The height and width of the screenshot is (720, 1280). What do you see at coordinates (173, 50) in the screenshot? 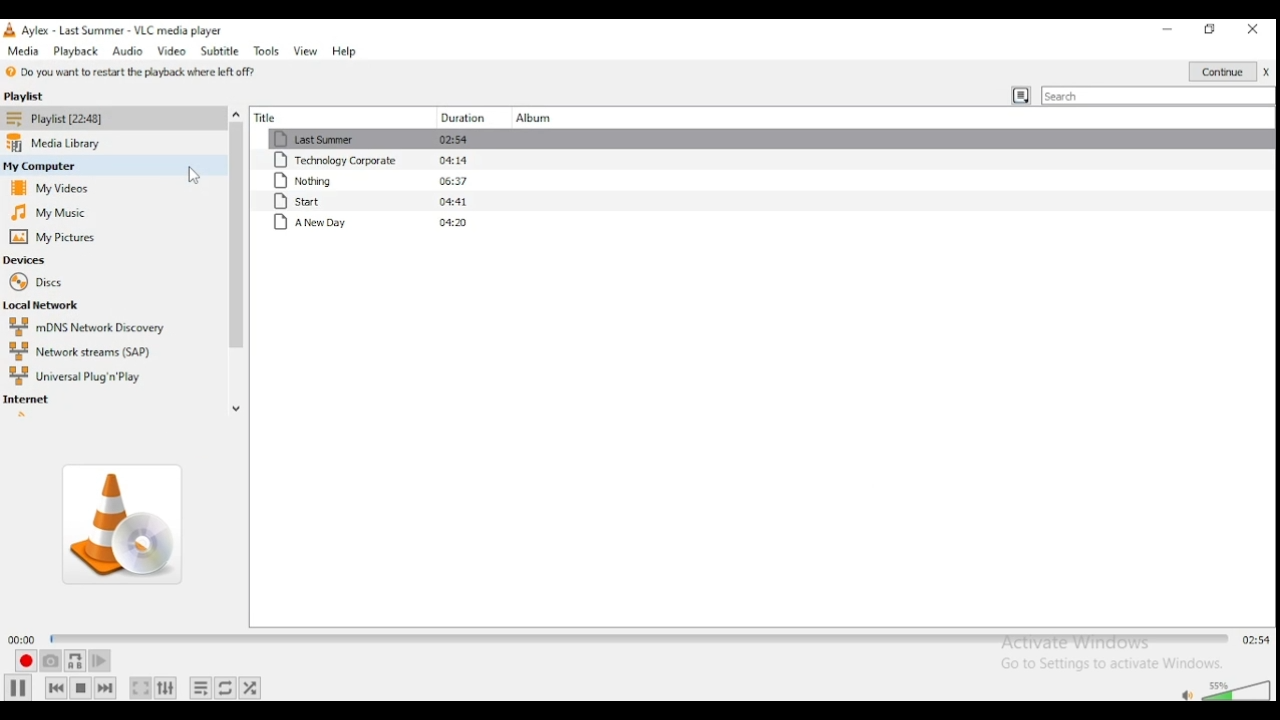
I see `video` at bounding box center [173, 50].